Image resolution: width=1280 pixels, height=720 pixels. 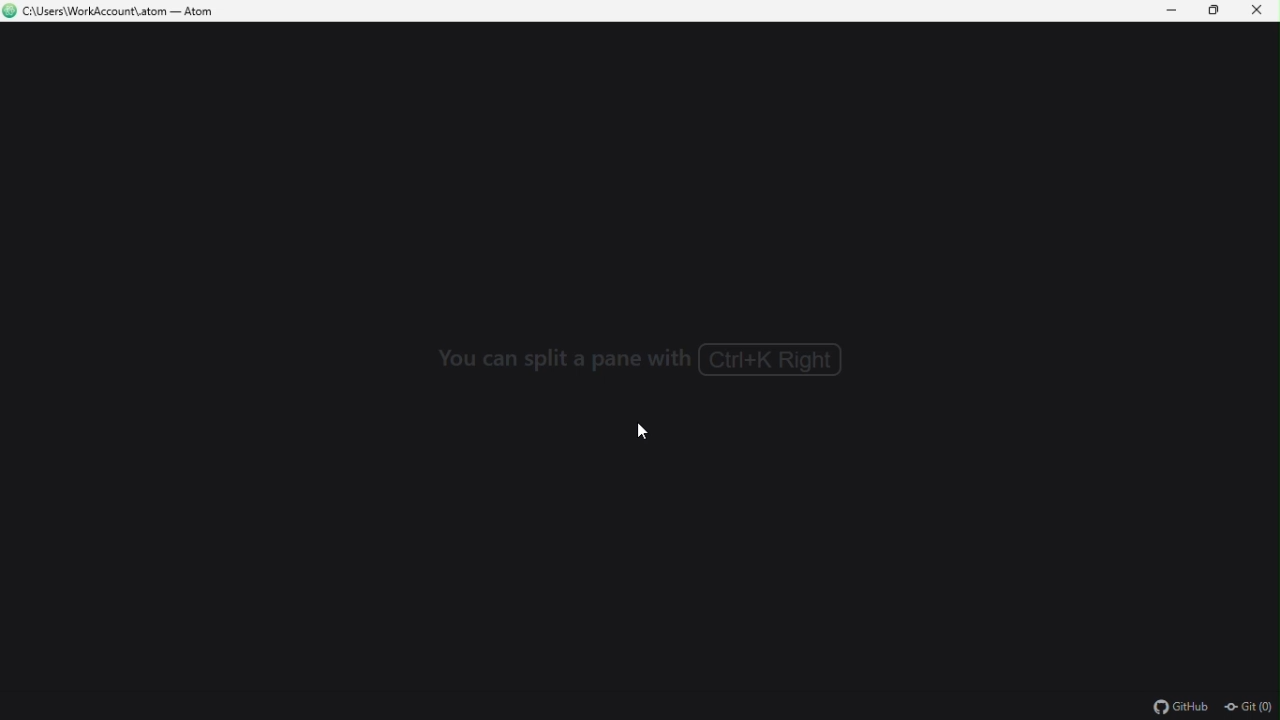 What do you see at coordinates (1180, 707) in the screenshot?
I see `github` at bounding box center [1180, 707].